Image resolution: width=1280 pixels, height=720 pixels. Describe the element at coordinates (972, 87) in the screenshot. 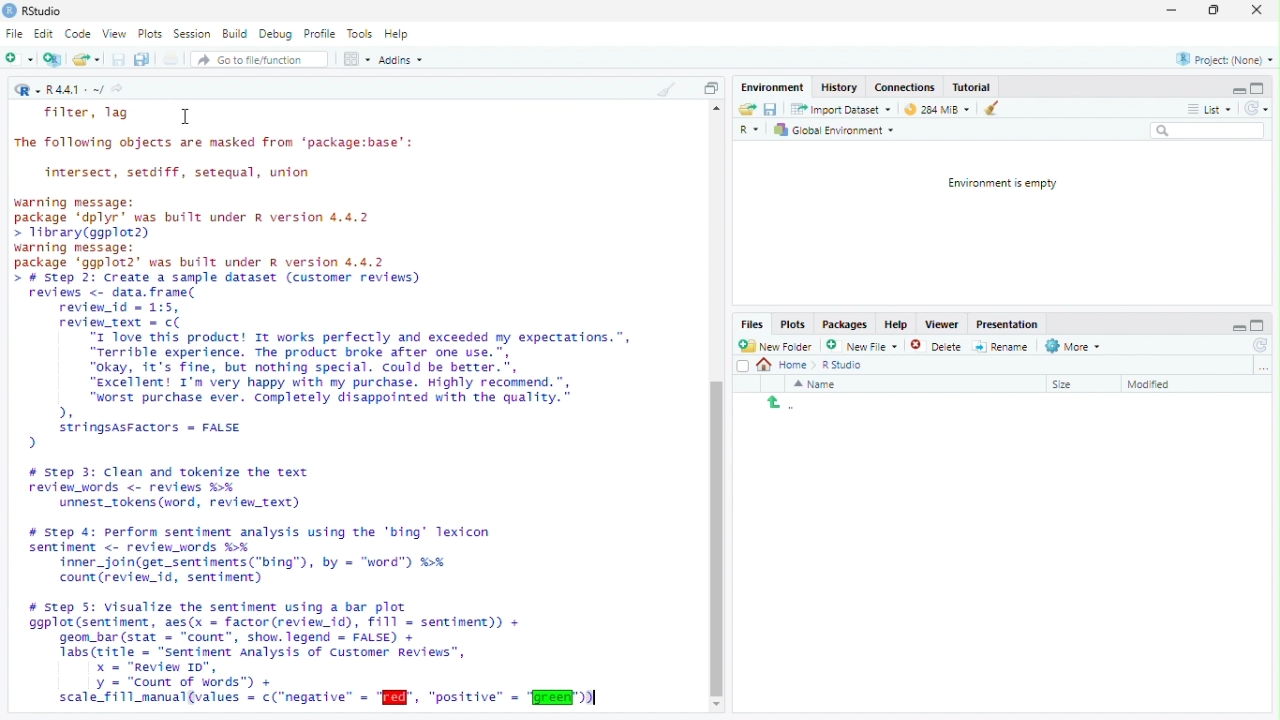

I see `Tutorial` at that location.